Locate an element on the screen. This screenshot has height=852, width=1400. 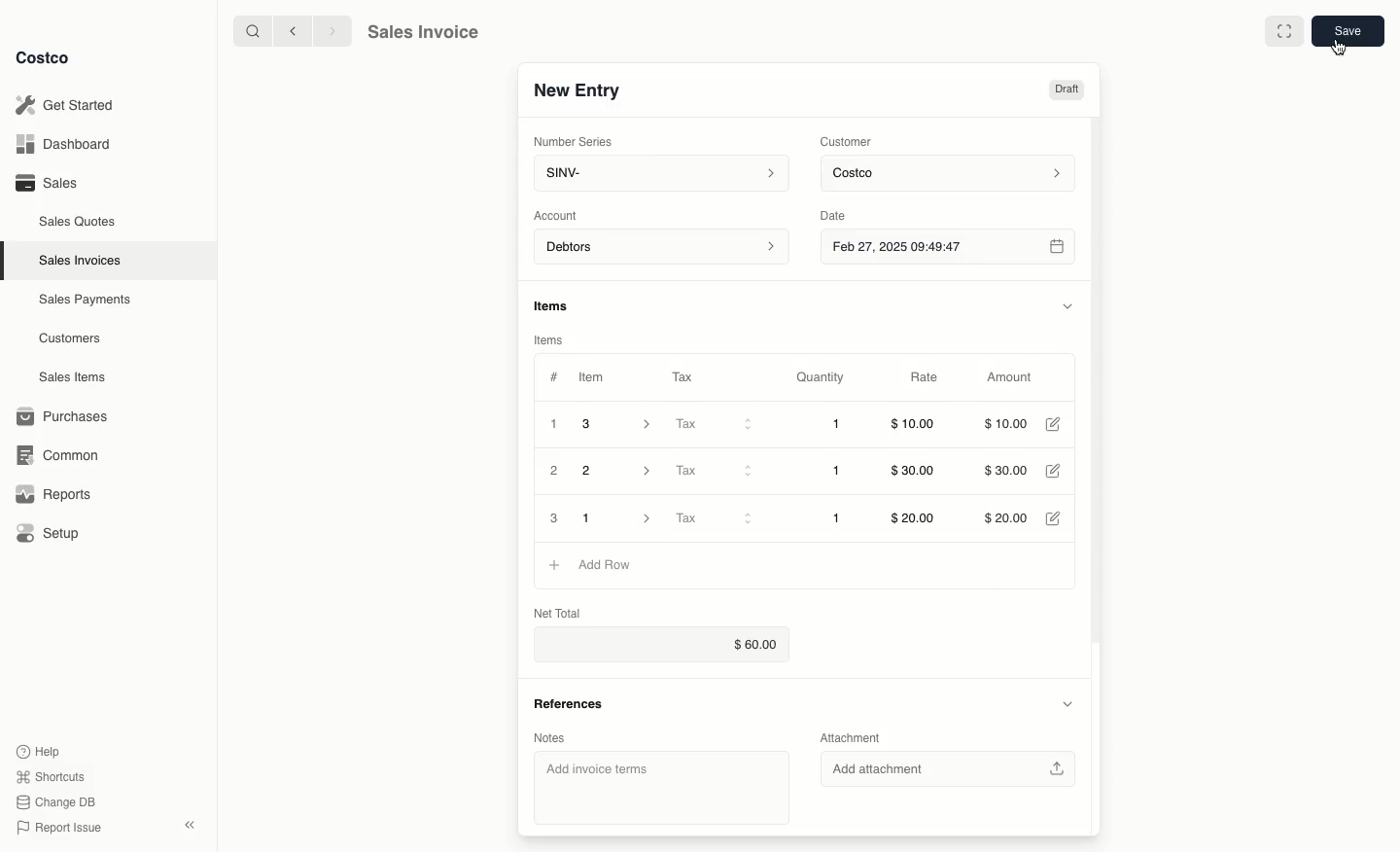
Feb 27, 2025 09:49:47 is located at coordinates (947, 246).